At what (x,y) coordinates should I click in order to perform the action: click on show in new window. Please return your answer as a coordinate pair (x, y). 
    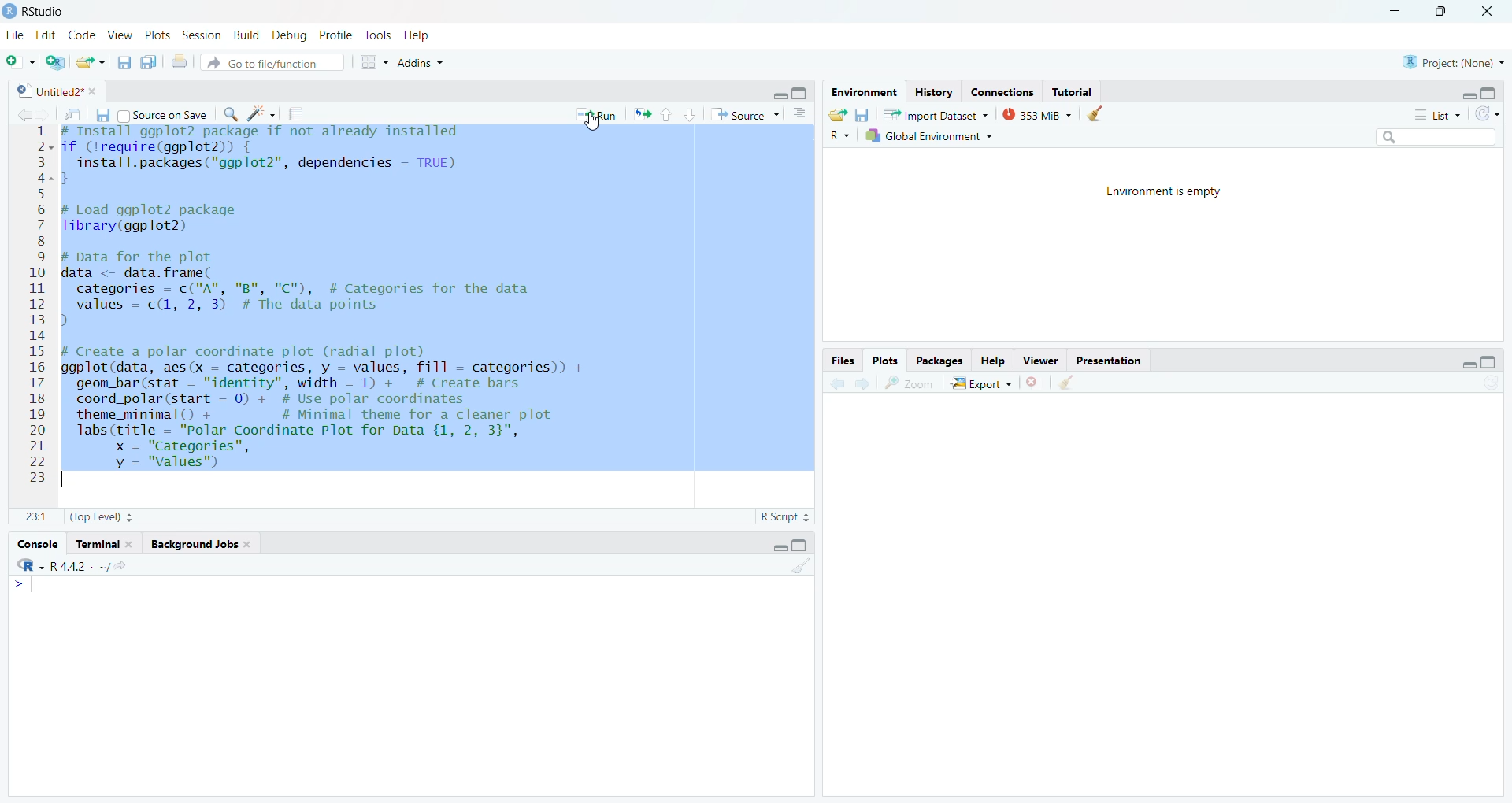
    Looking at the image, I should click on (70, 113).